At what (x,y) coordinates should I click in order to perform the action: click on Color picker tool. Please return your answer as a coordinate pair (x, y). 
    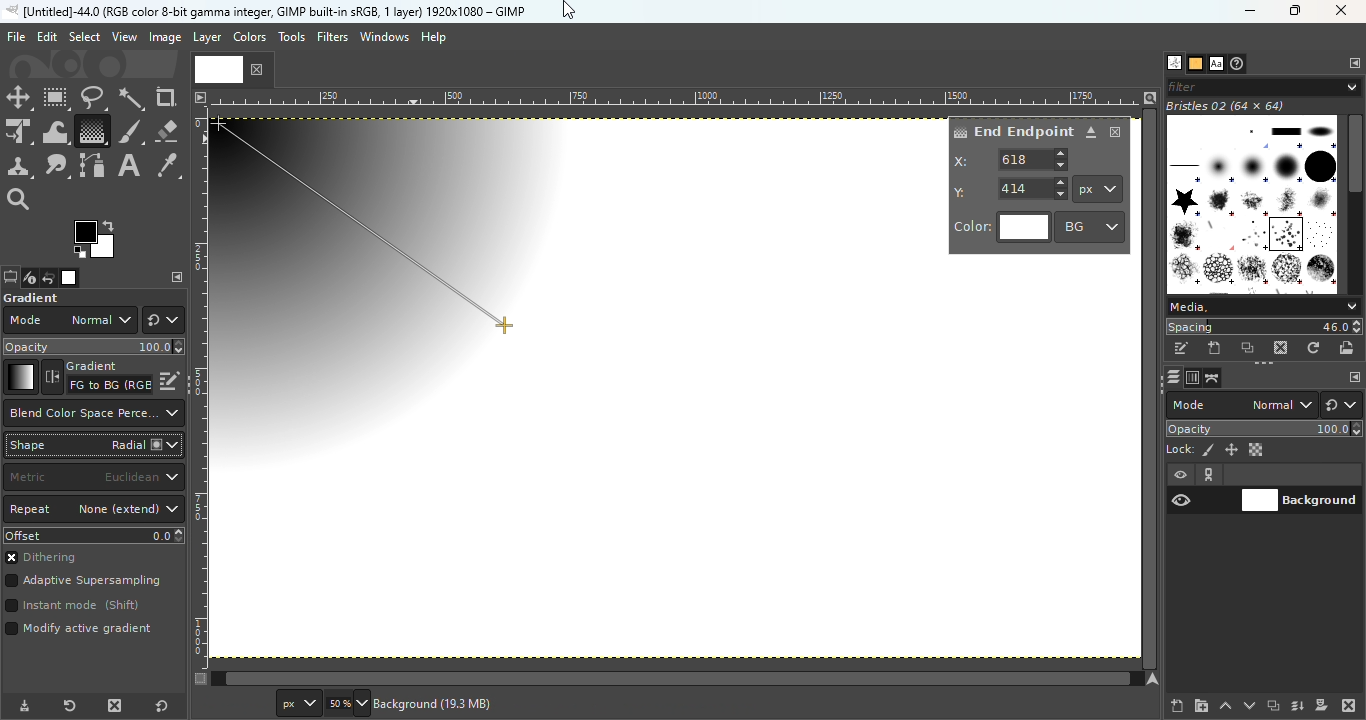
    Looking at the image, I should click on (168, 167).